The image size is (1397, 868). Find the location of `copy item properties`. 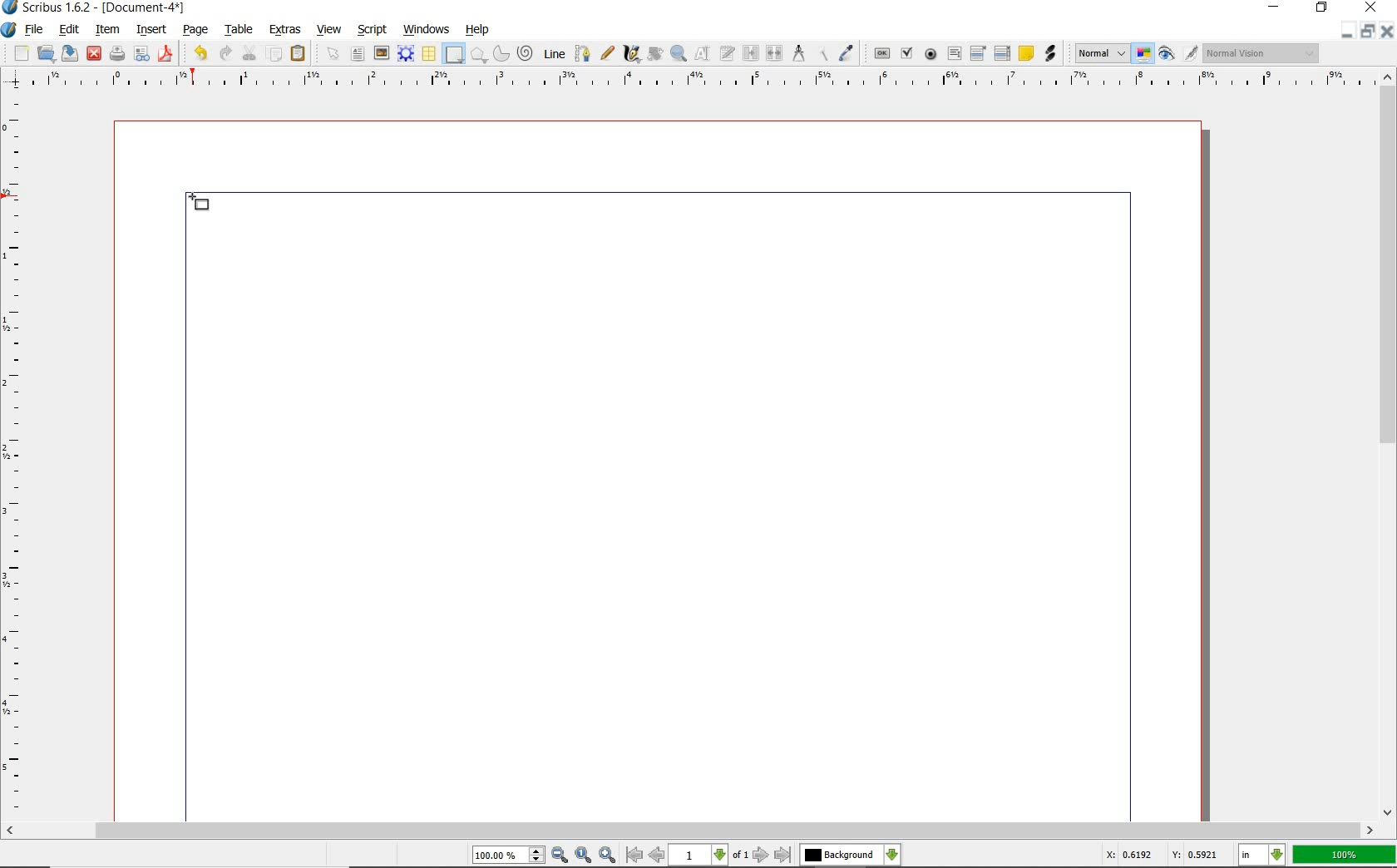

copy item properties is located at coordinates (822, 53).